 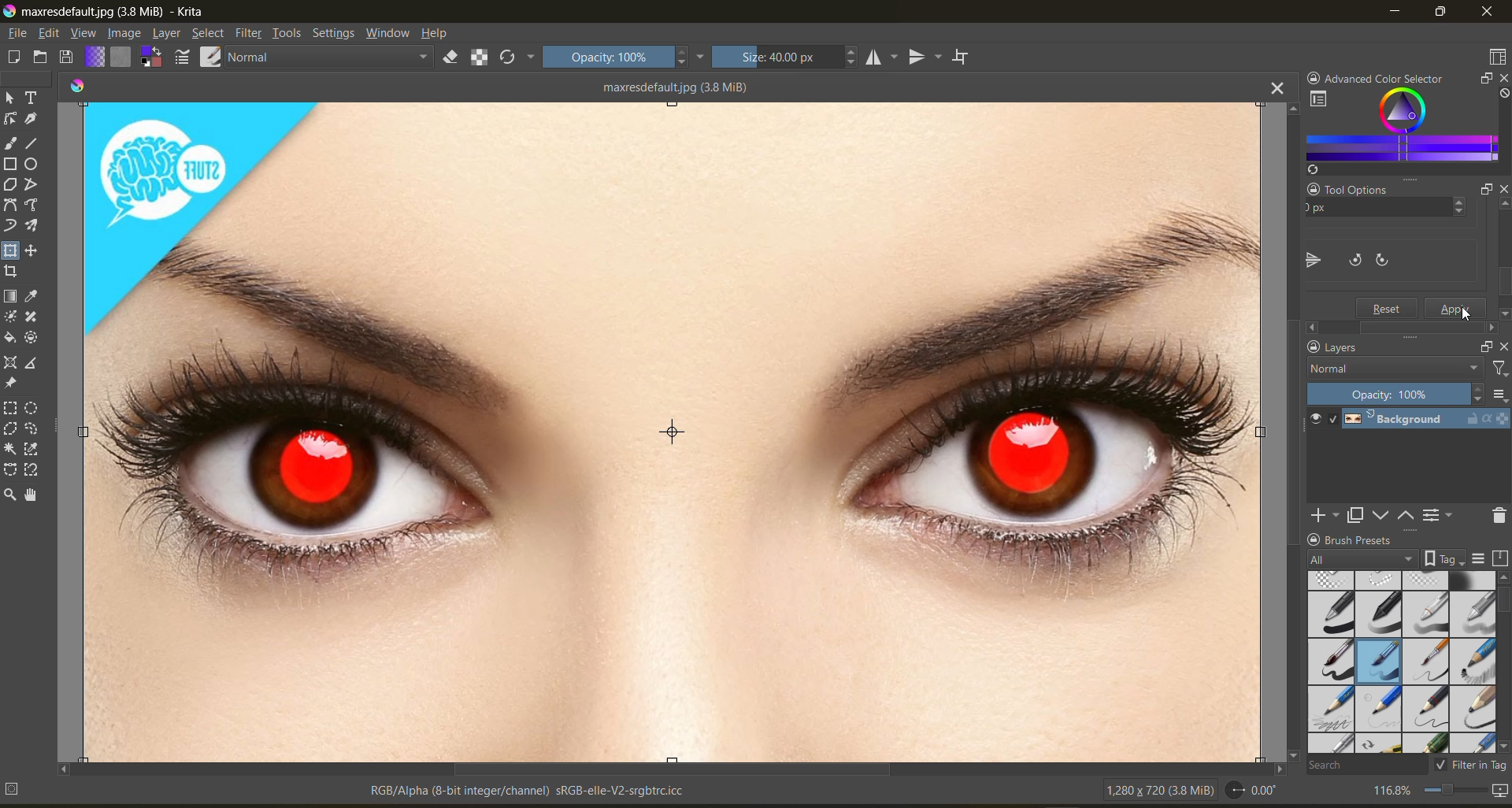 What do you see at coordinates (32, 206) in the screenshot?
I see `tool` at bounding box center [32, 206].